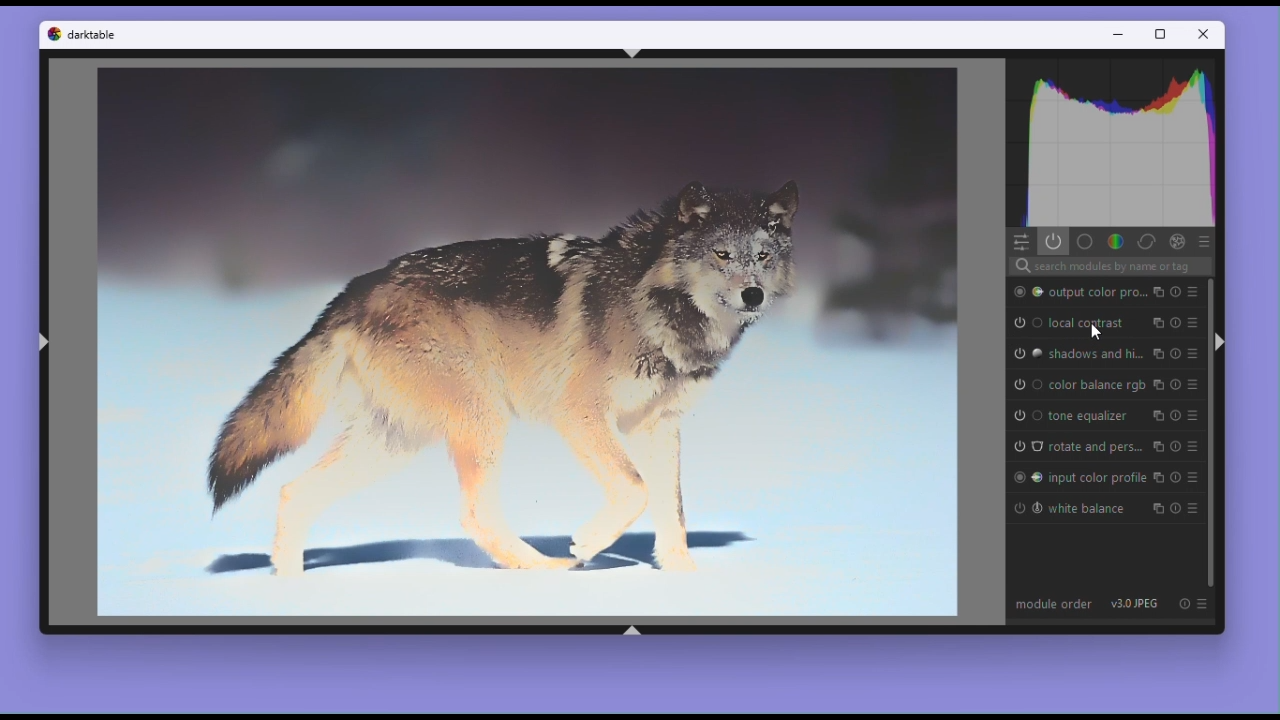  Describe the element at coordinates (1204, 33) in the screenshot. I see `Close` at that location.